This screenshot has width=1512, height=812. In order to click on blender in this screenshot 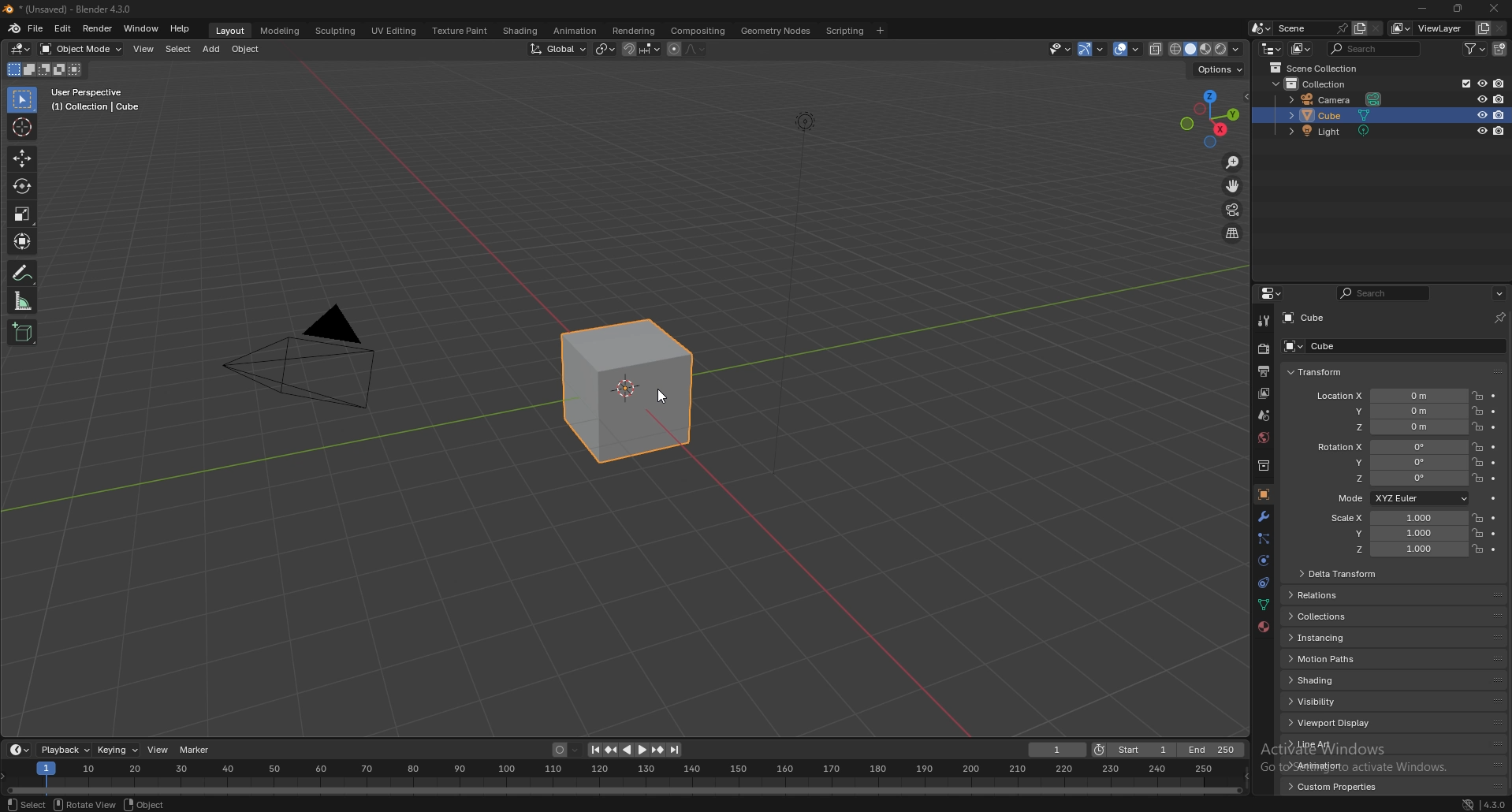, I will do `click(13, 28)`.